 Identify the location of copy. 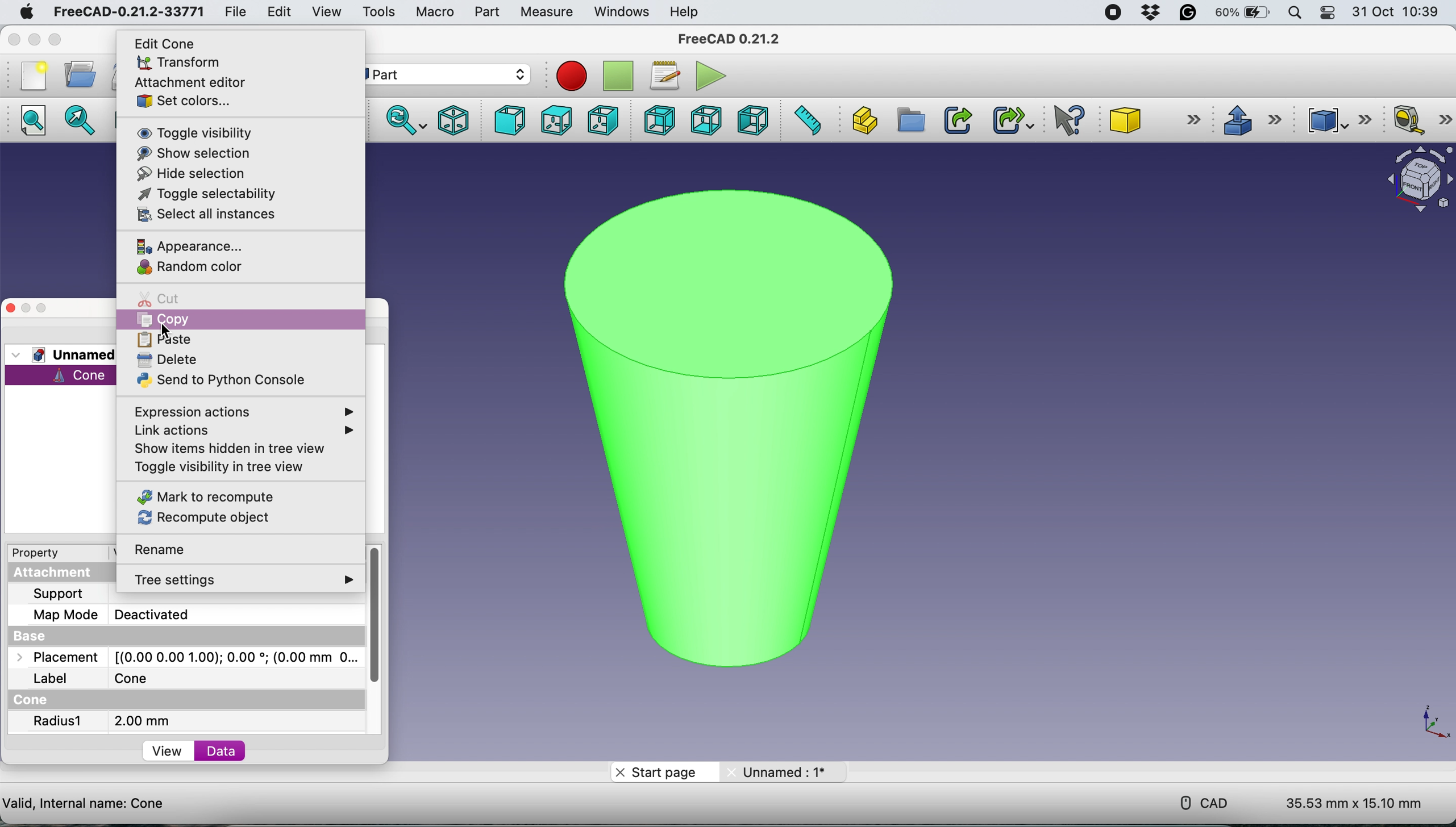
(181, 320).